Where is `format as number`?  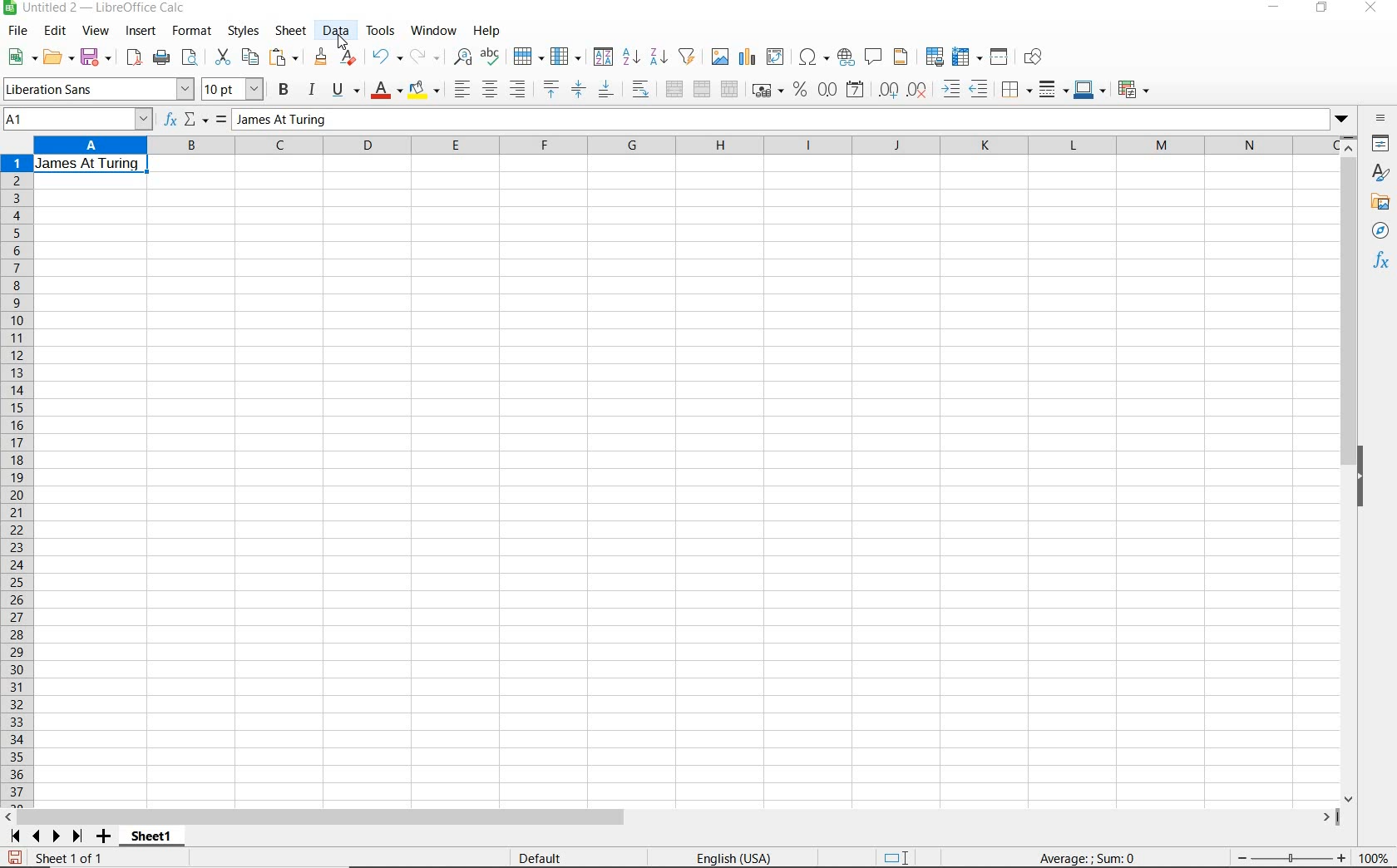
format as number is located at coordinates (827, 90).